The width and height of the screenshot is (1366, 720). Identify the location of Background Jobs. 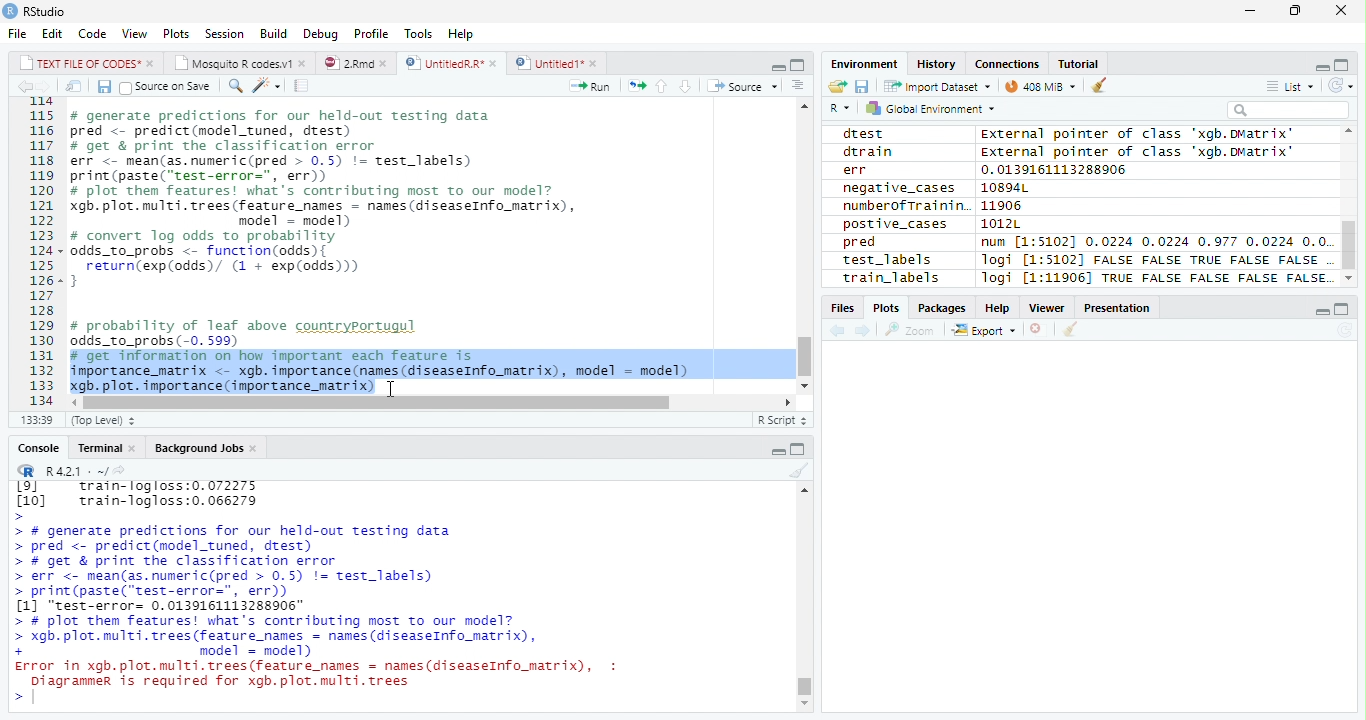
(206, 447).